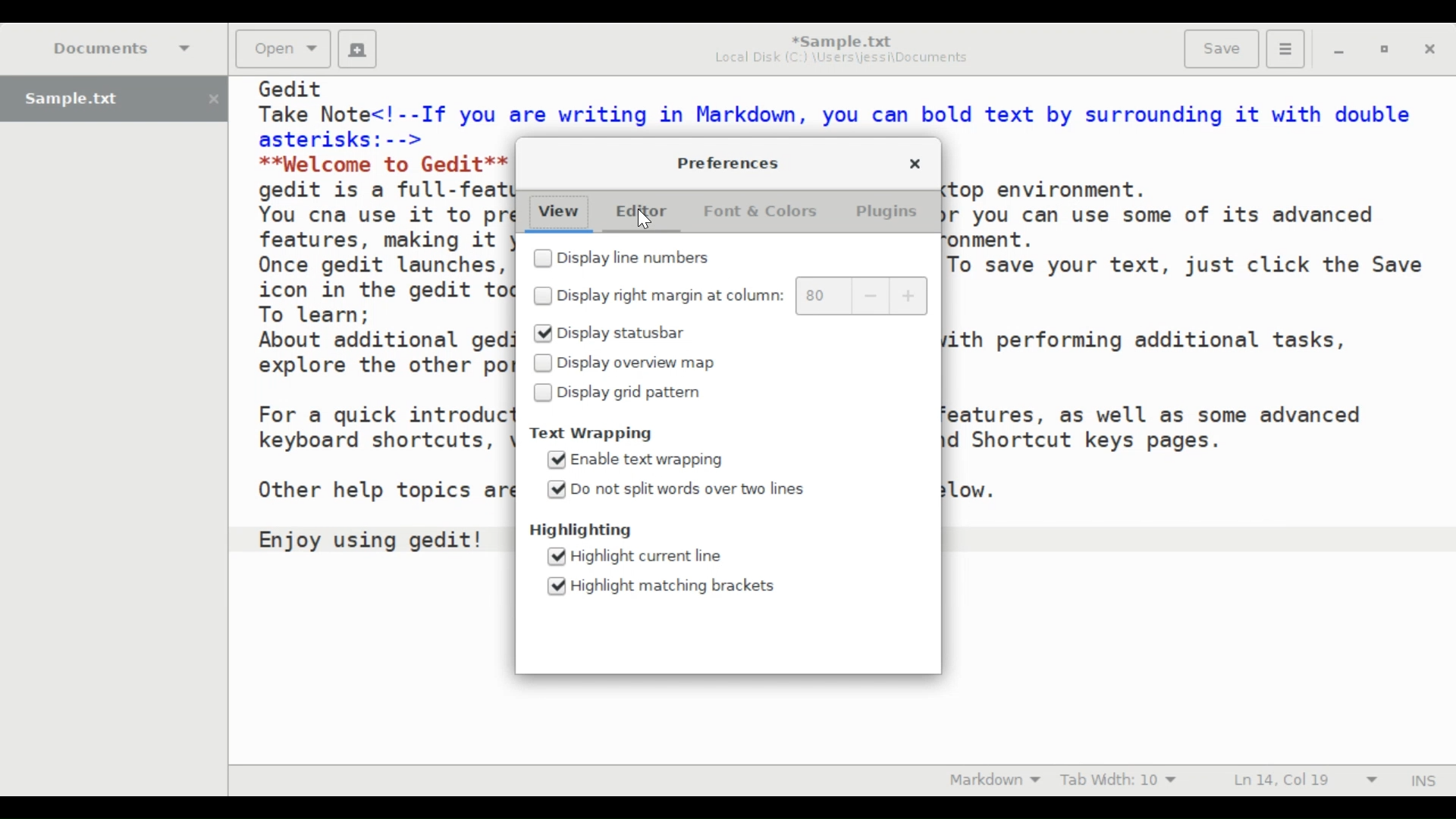 The image size is (1456, 819). What do you see at coordinates (1382, 50) in the screenshot?
I see `restore` at bounding box center [1382, 50].